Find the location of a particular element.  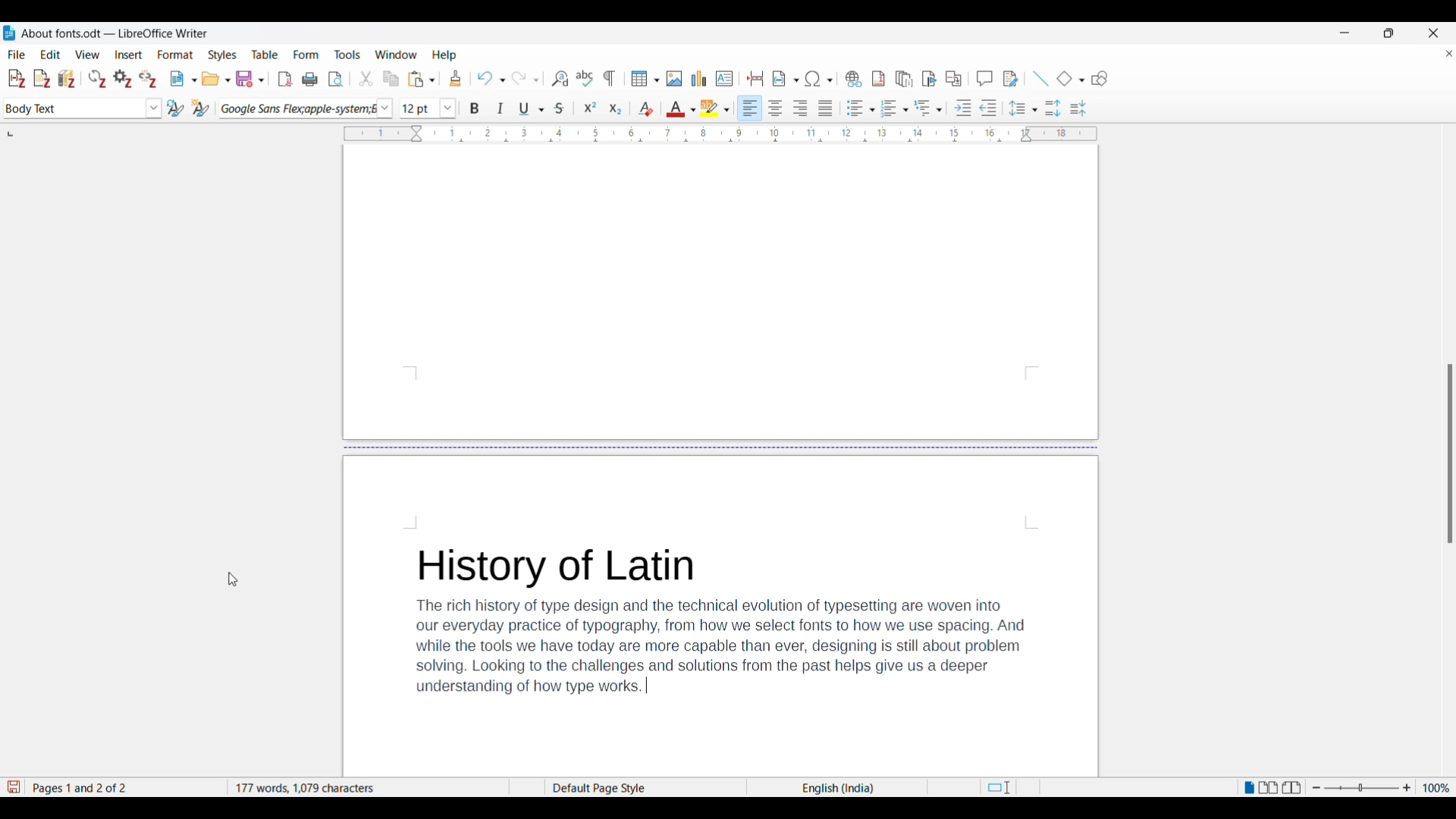

View menu is located at coordinates (87, 55).